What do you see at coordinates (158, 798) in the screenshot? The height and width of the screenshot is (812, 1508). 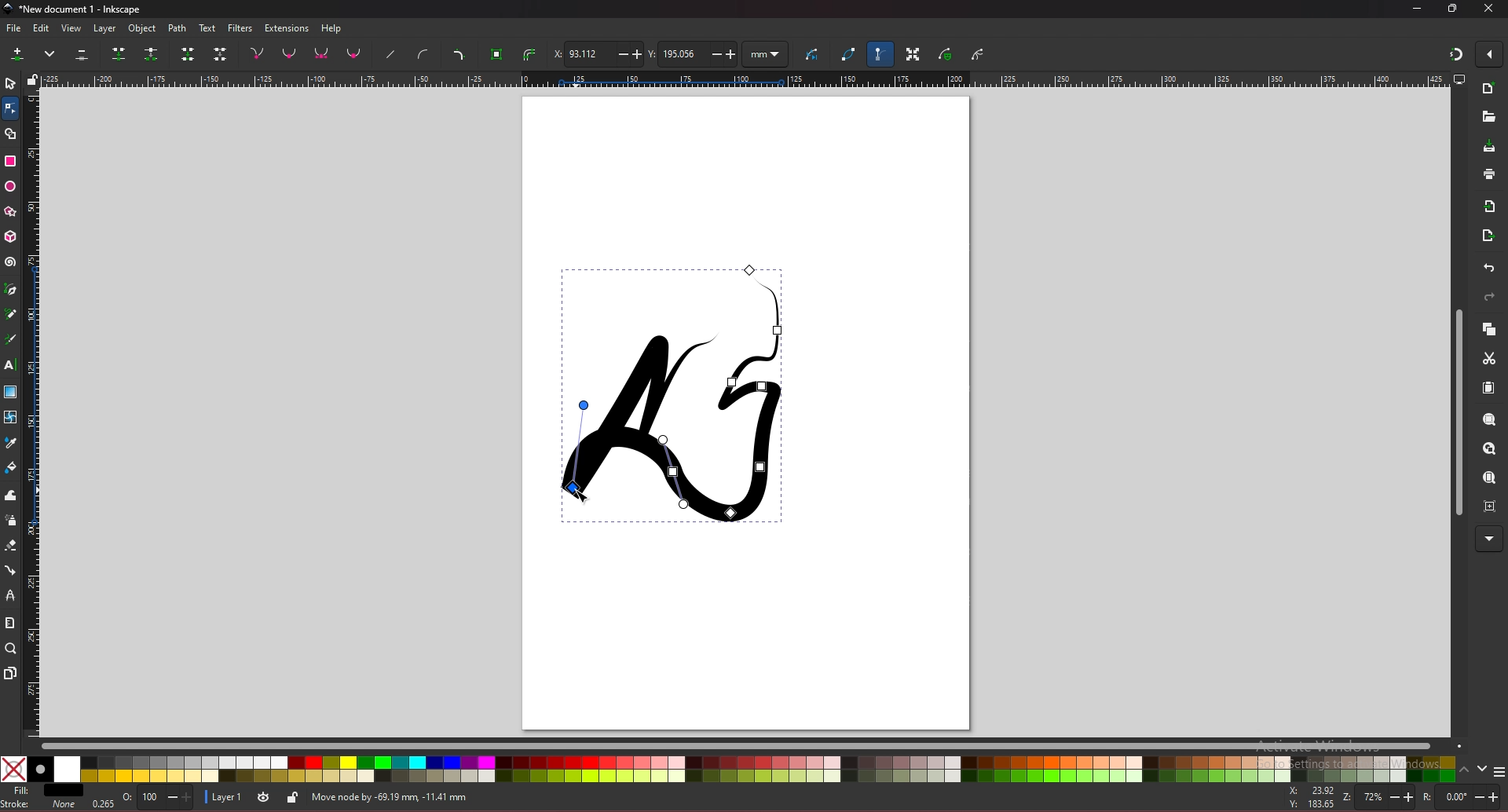 I see `opacity` at bounding box center [158, 798].